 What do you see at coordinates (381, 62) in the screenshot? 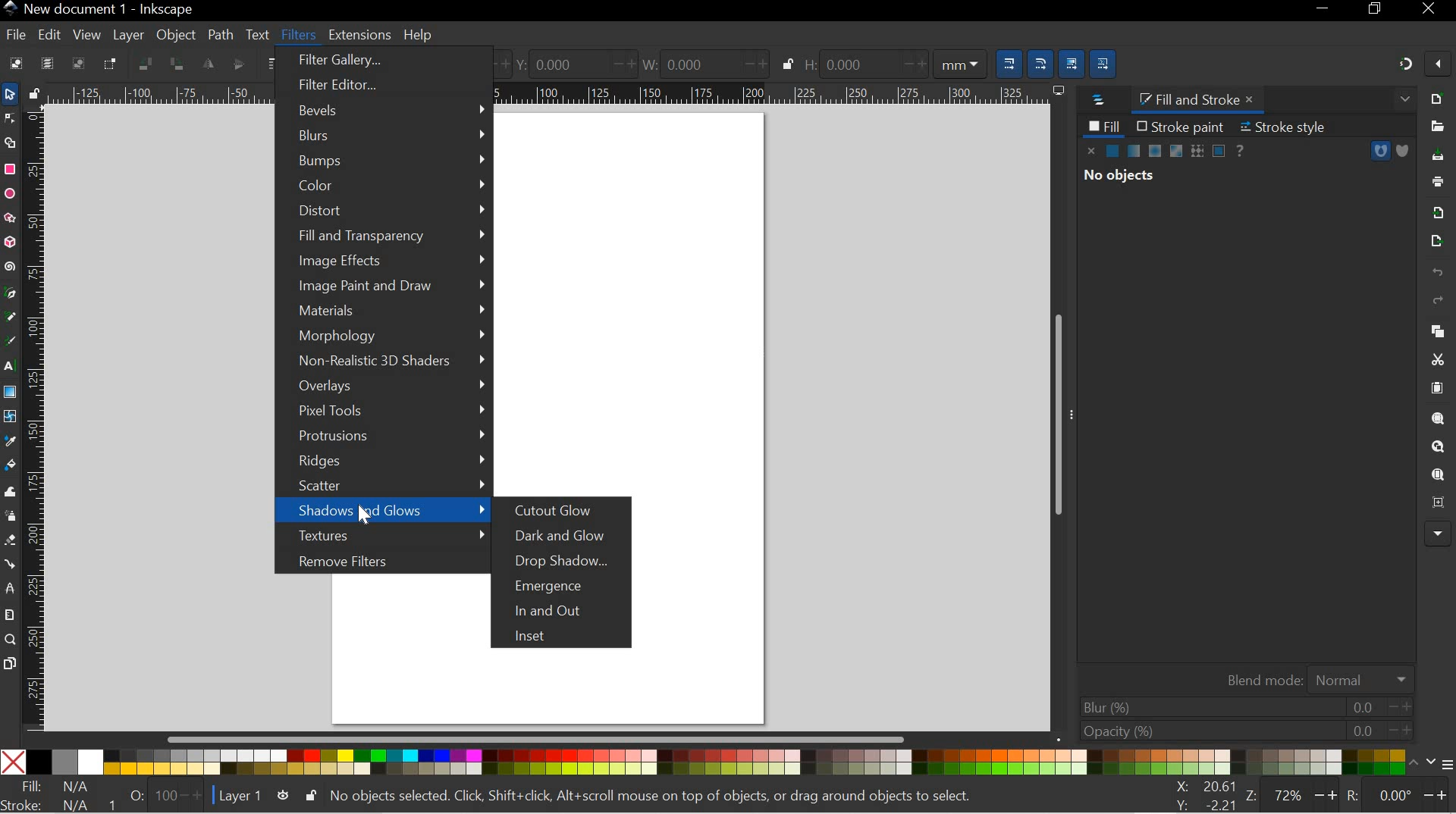
I see `FILTER GALLERY` at bounding box center [381, 62].